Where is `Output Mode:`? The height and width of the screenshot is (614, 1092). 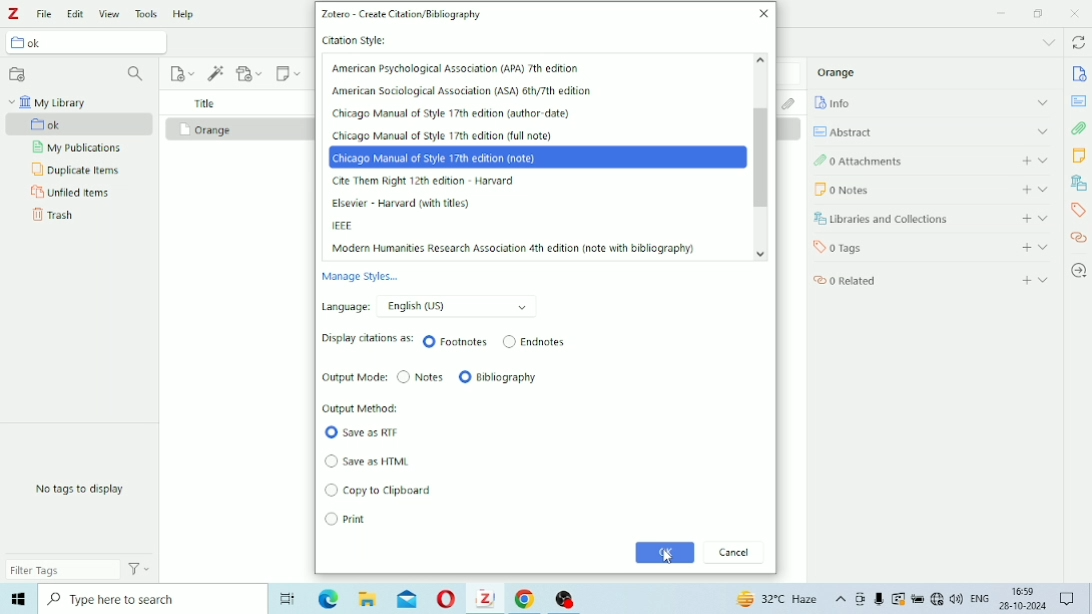 Output Mode: is located at coordinates (355, 378).